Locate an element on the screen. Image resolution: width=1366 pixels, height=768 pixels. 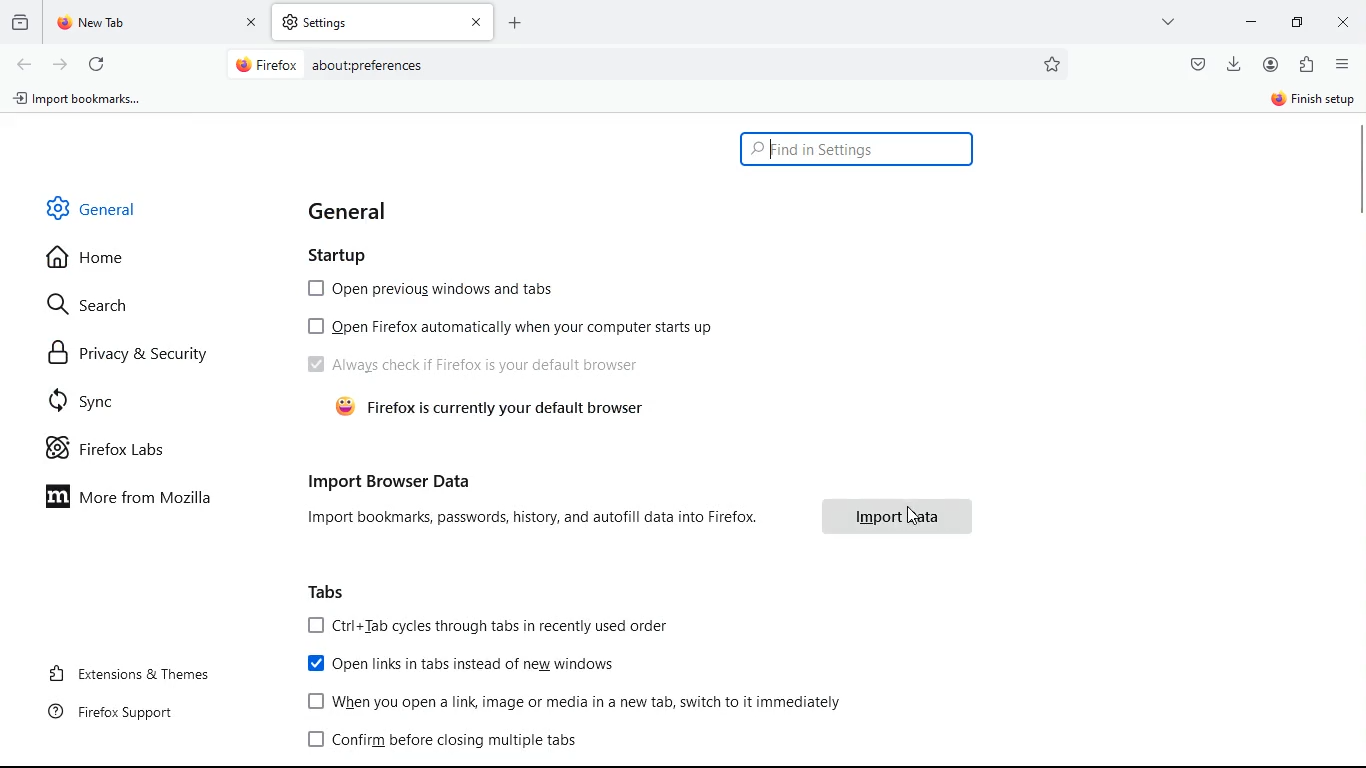
Vertical scroll  bar is located at coordinates (1357, 172).